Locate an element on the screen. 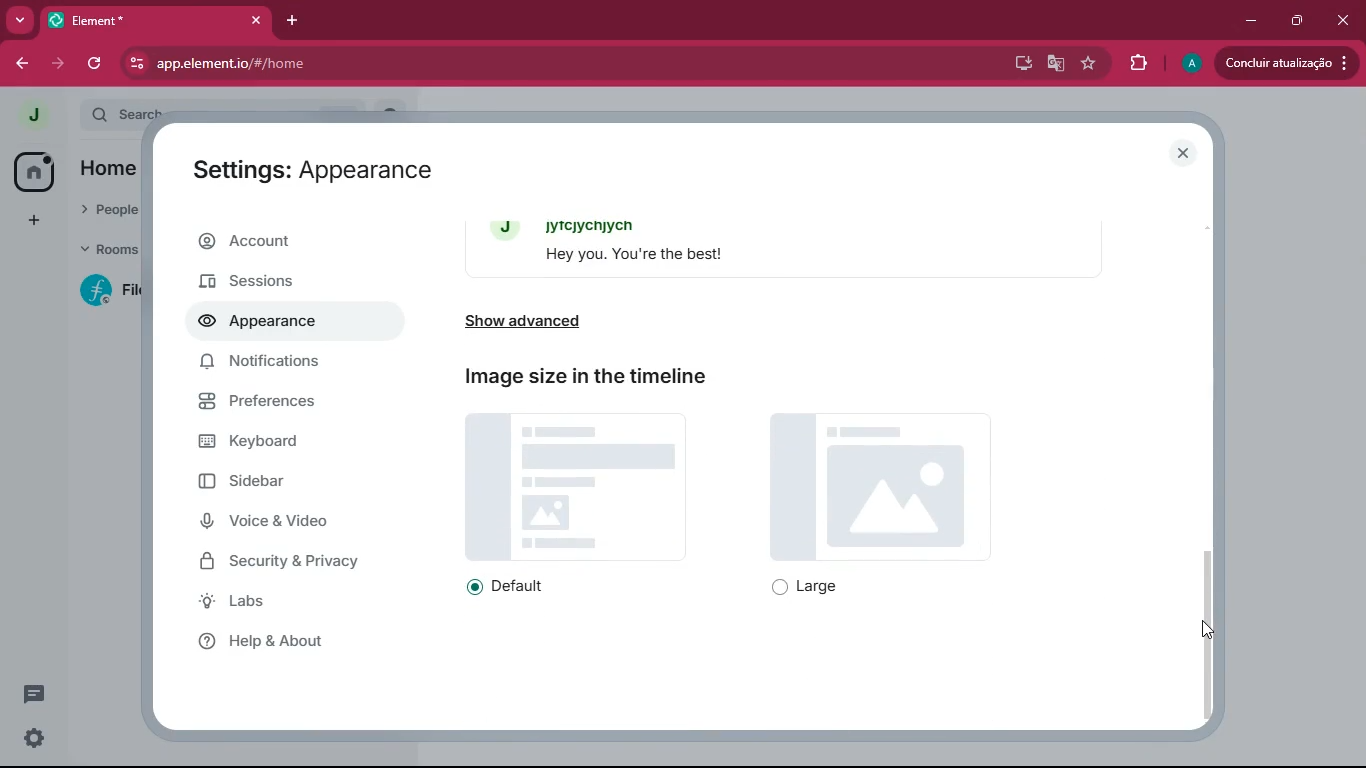  google translate is located at coordinates (1056, 66).